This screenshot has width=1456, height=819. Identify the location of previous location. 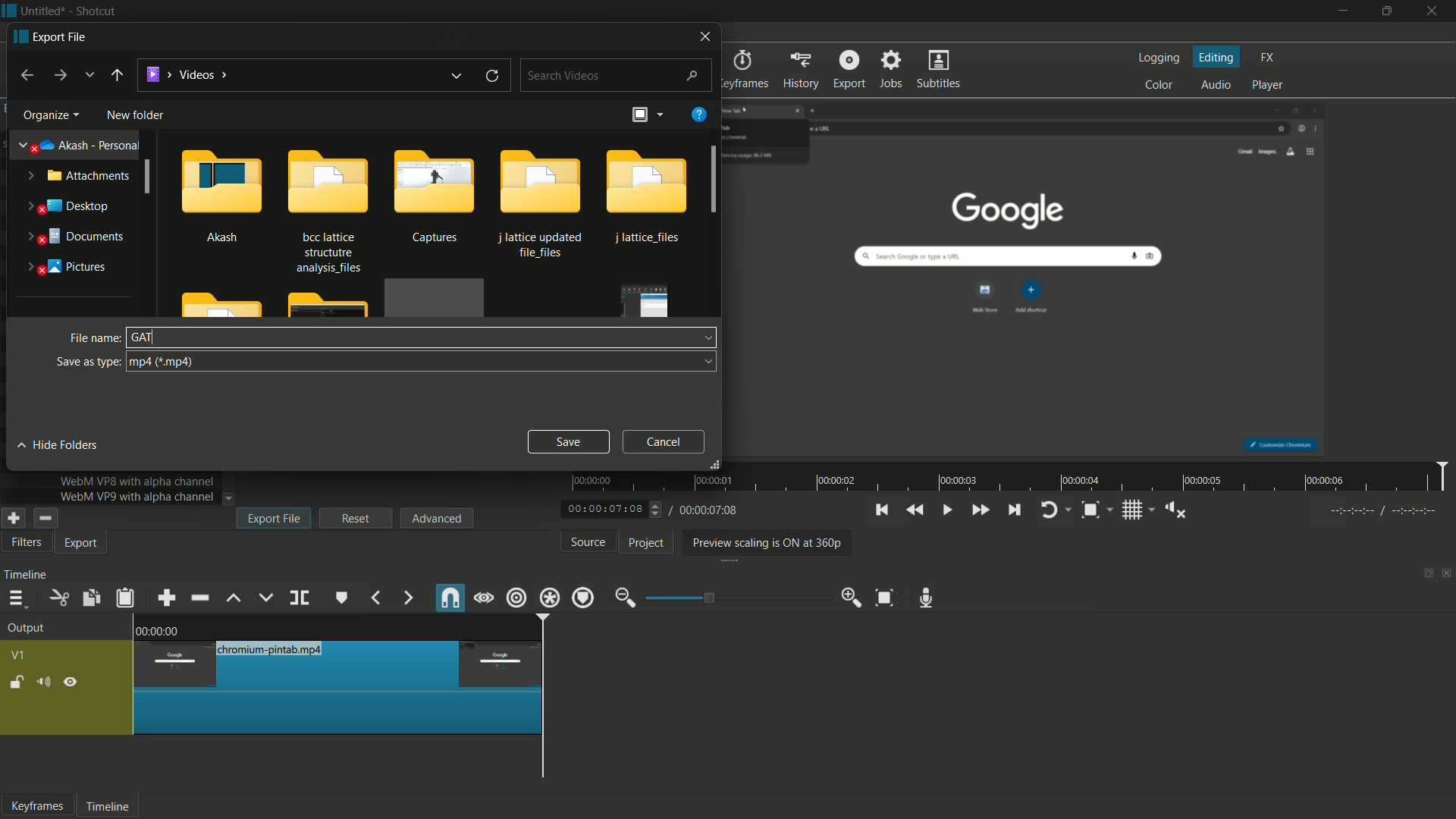
(454, 77).